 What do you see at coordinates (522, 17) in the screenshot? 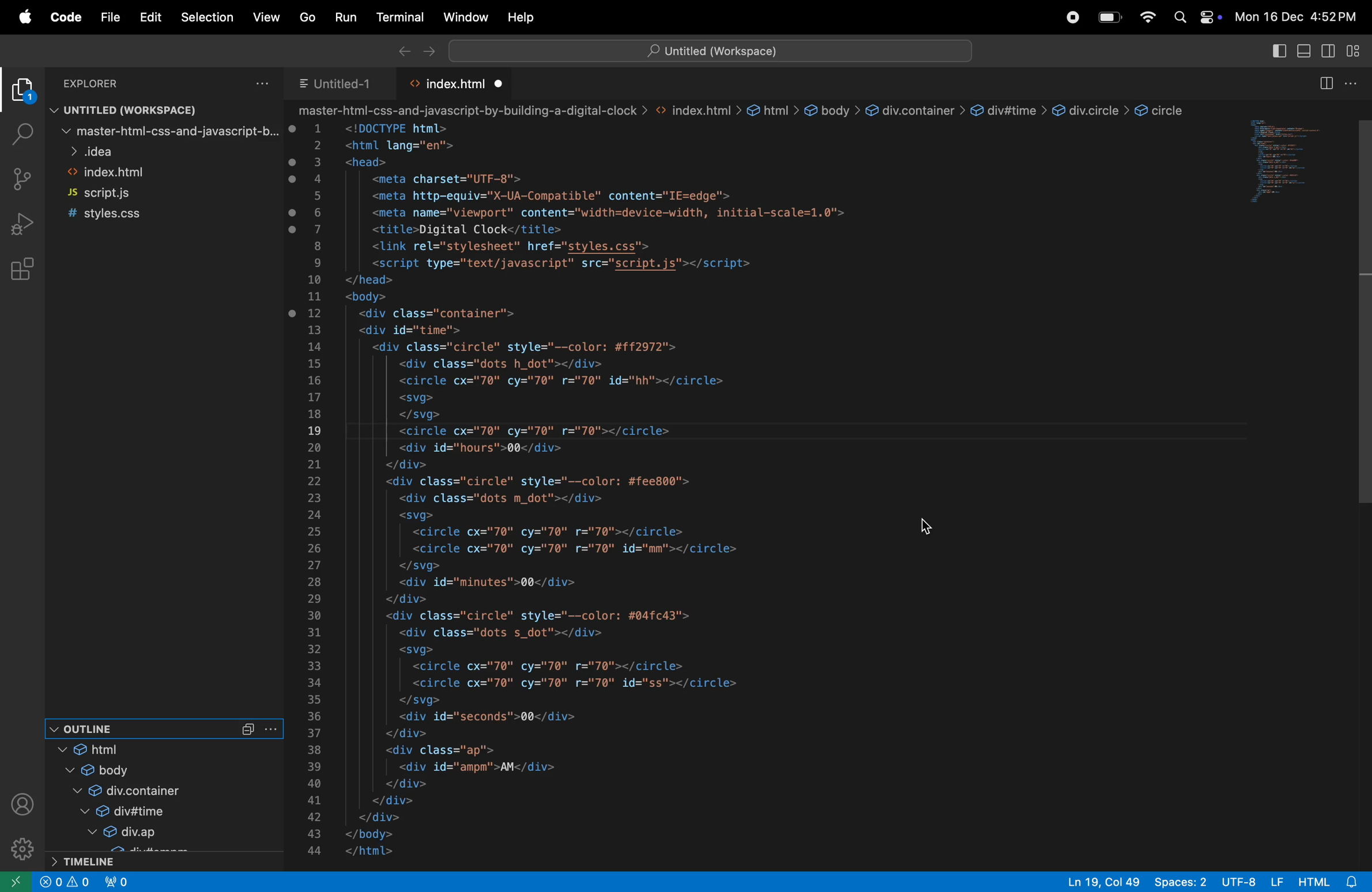
I see `help` at bounding box center [522, 17].